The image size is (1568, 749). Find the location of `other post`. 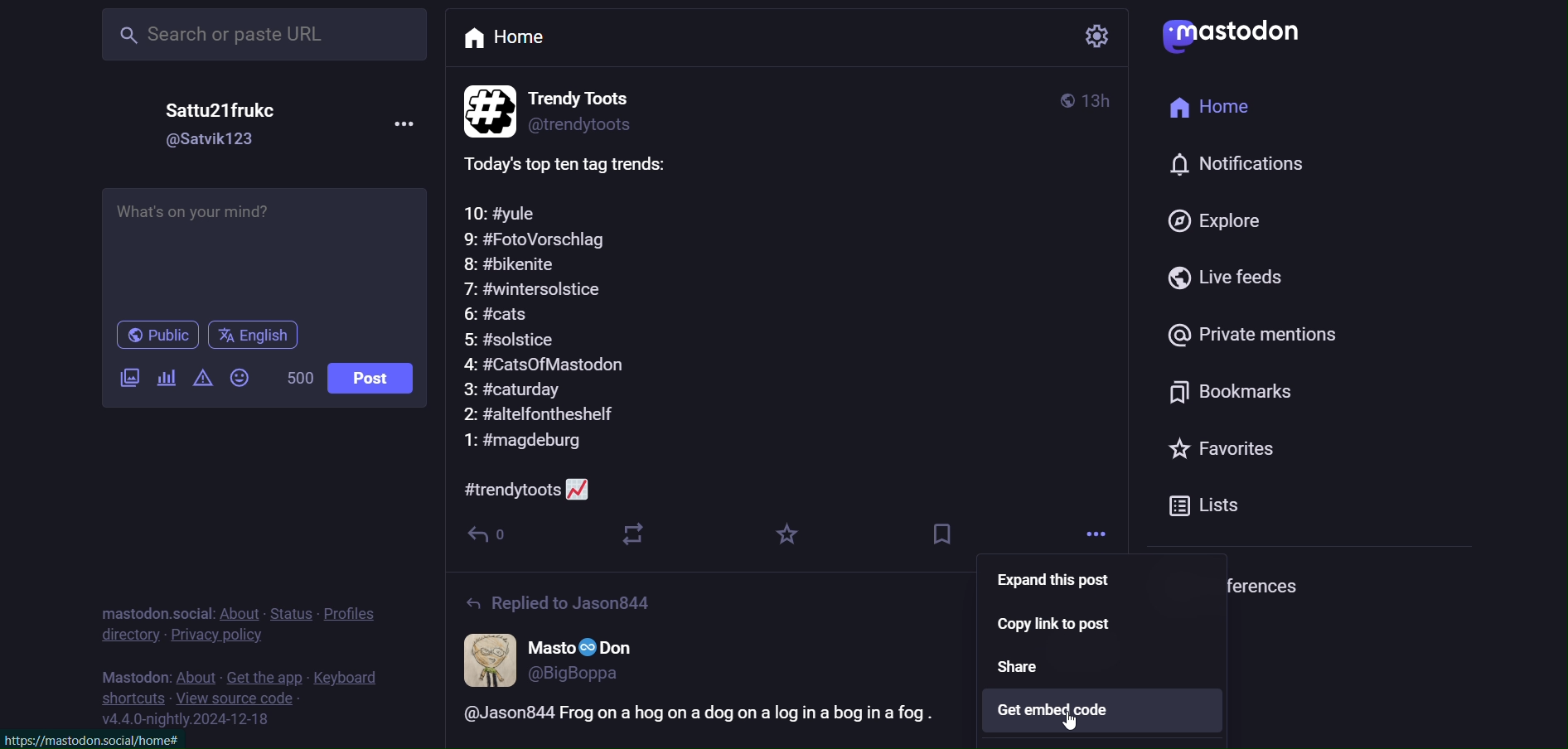

other post is located at coordinates (690, 721).